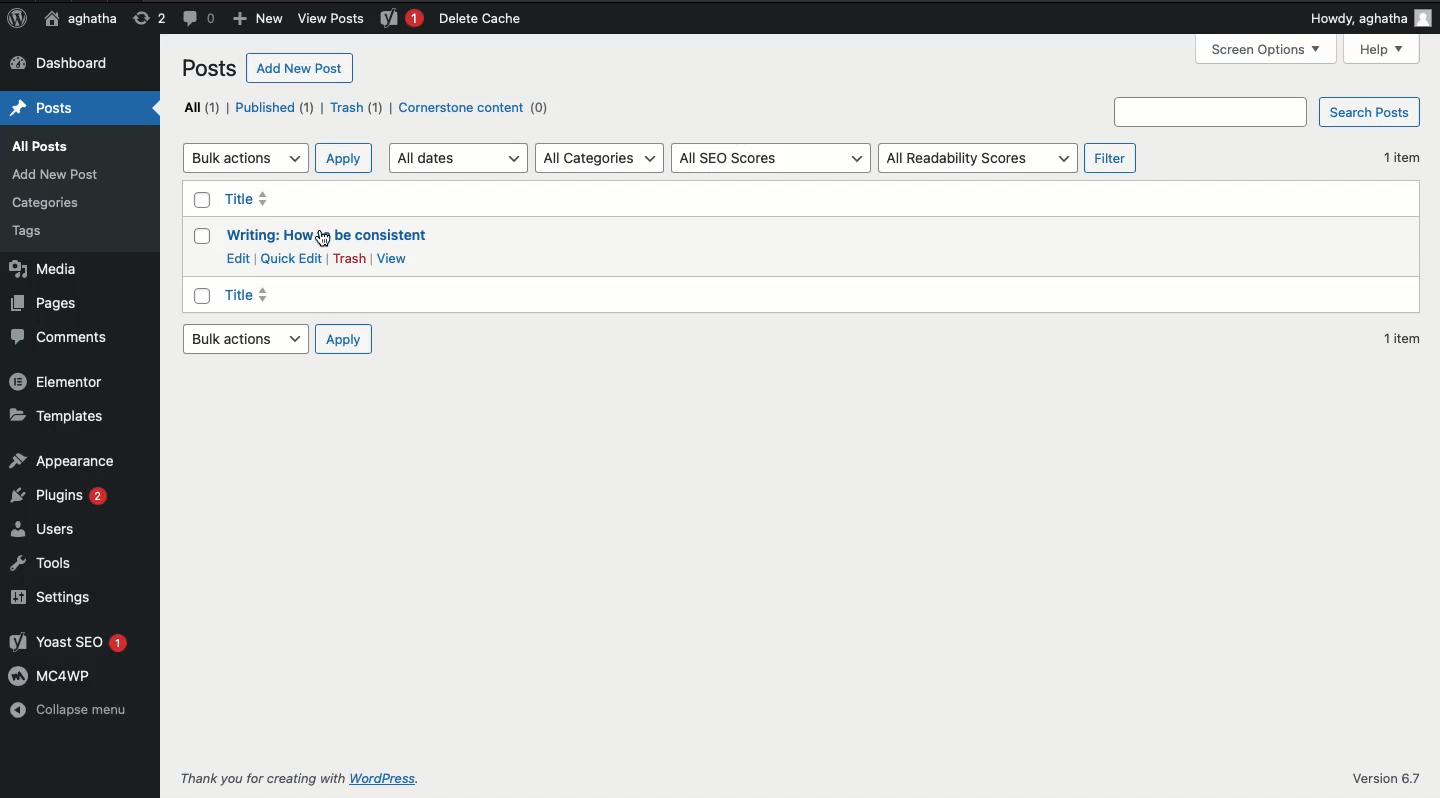 Image resolution: width=1440 pixels, height=798 pixels. I want to click on Collapse menu, so click(70, 709).